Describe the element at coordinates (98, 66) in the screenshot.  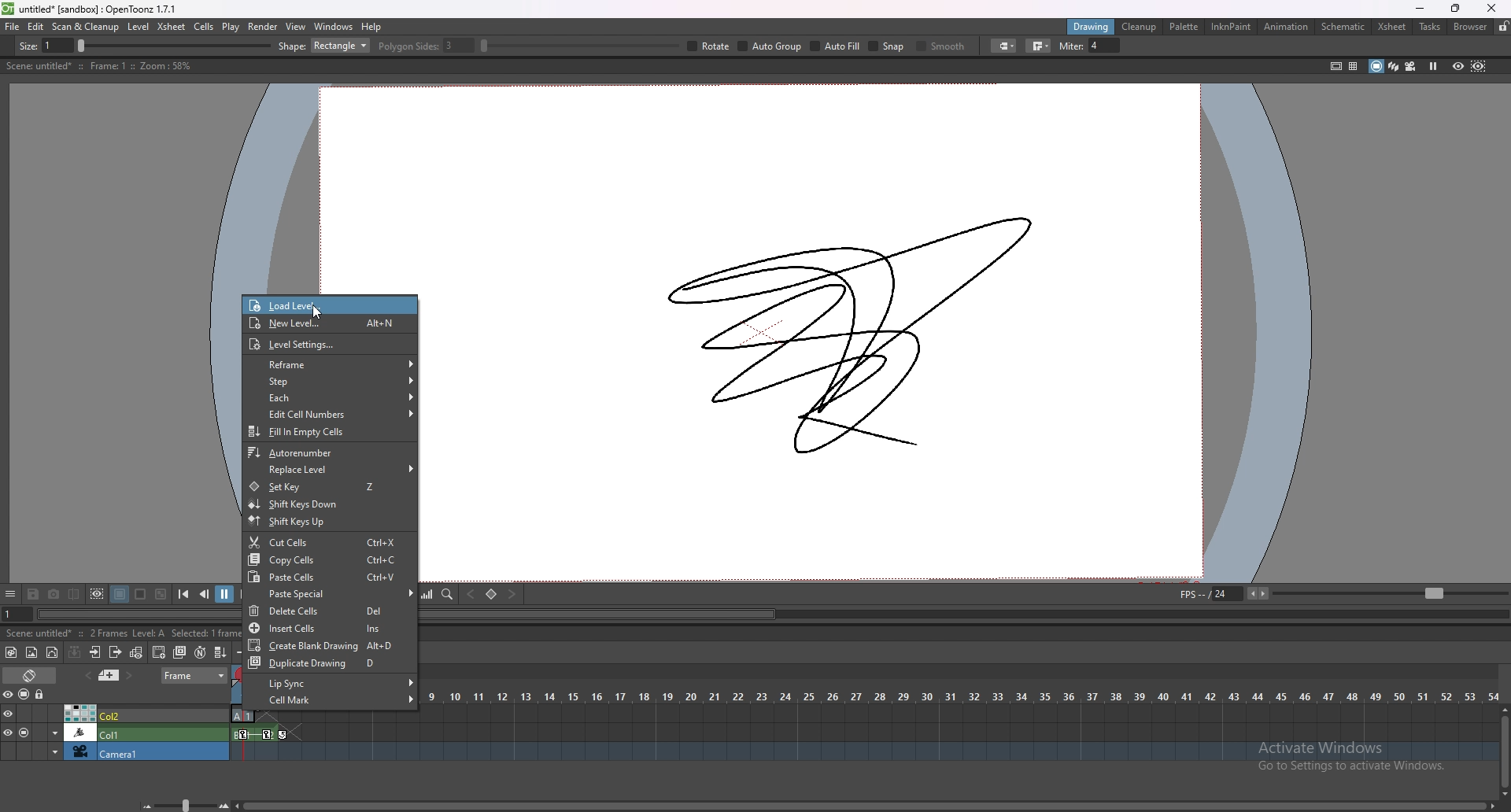
I see `description` at that location.